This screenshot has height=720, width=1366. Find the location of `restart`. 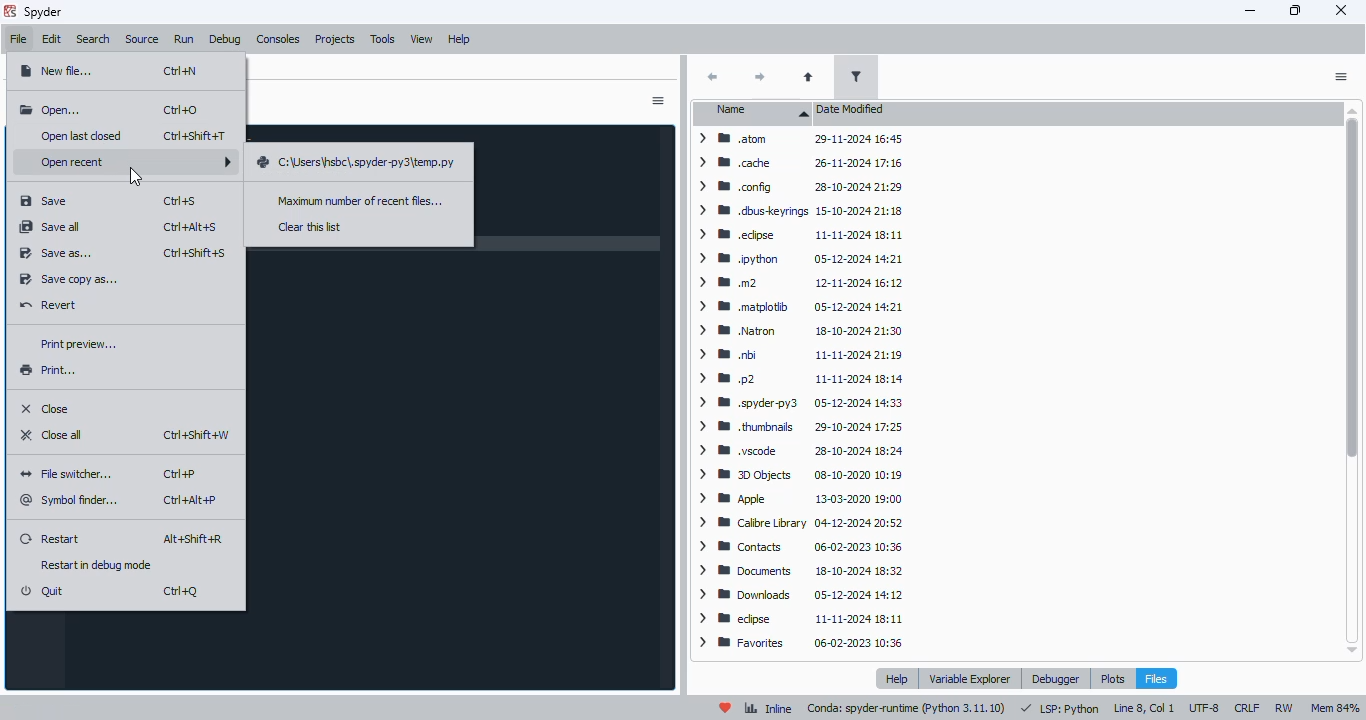

restart is located at coordinates (50, 537).